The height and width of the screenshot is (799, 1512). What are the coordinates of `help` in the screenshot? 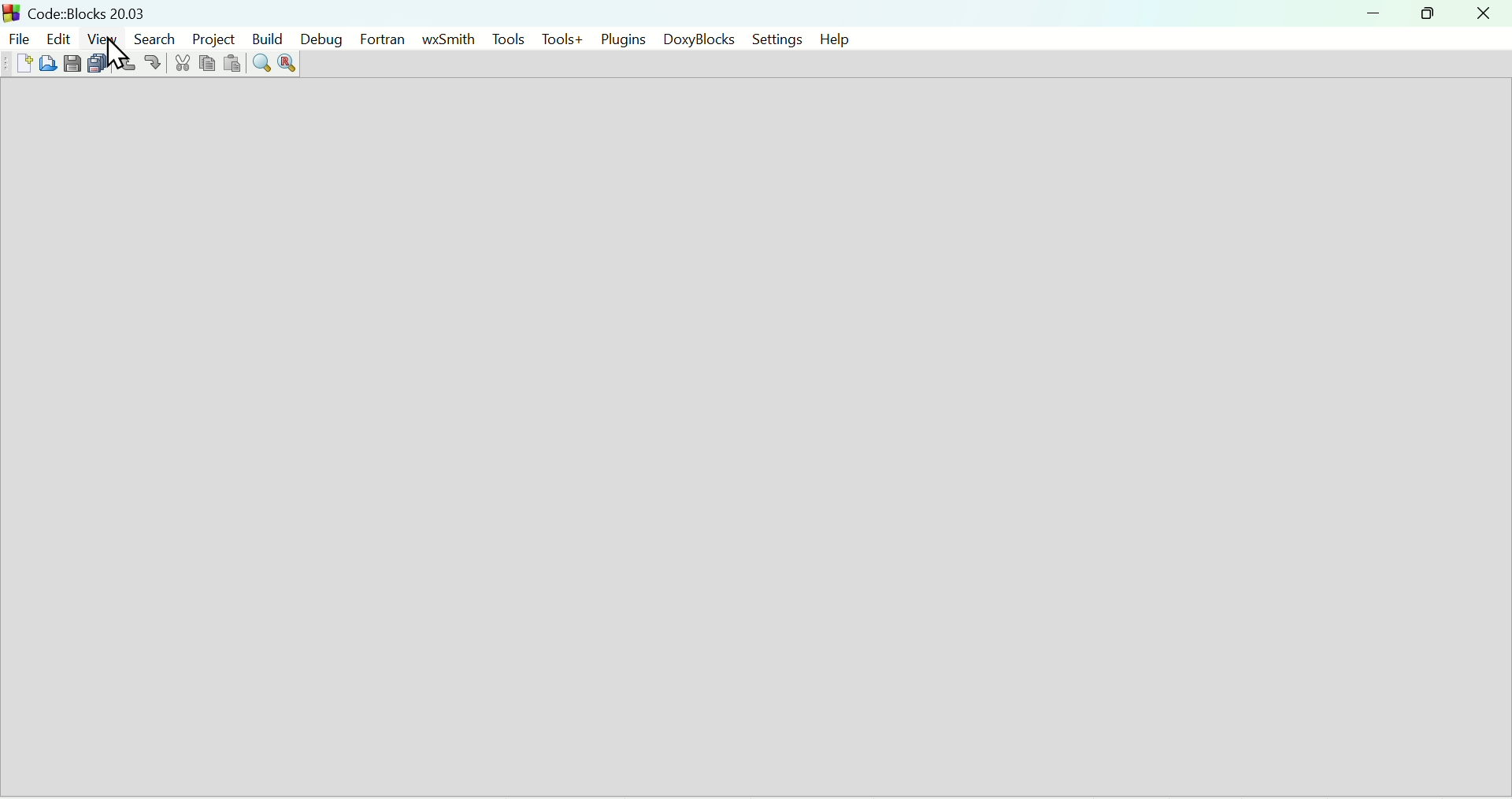 It's located at (832, 39).